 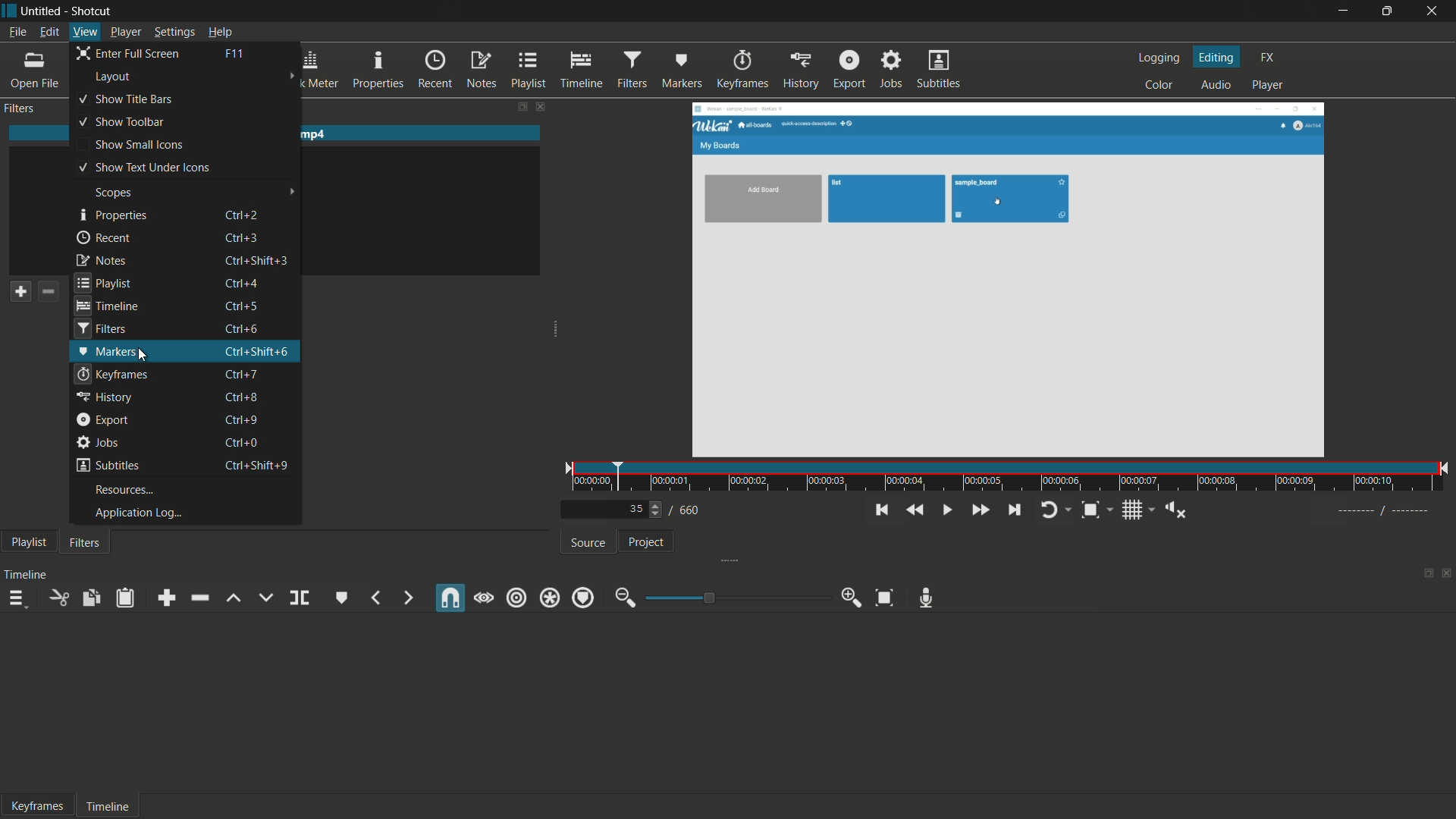 What do you see at coordinates (99, 330) in the screenshot?
I see `filters` at bounding box center [99, 330].